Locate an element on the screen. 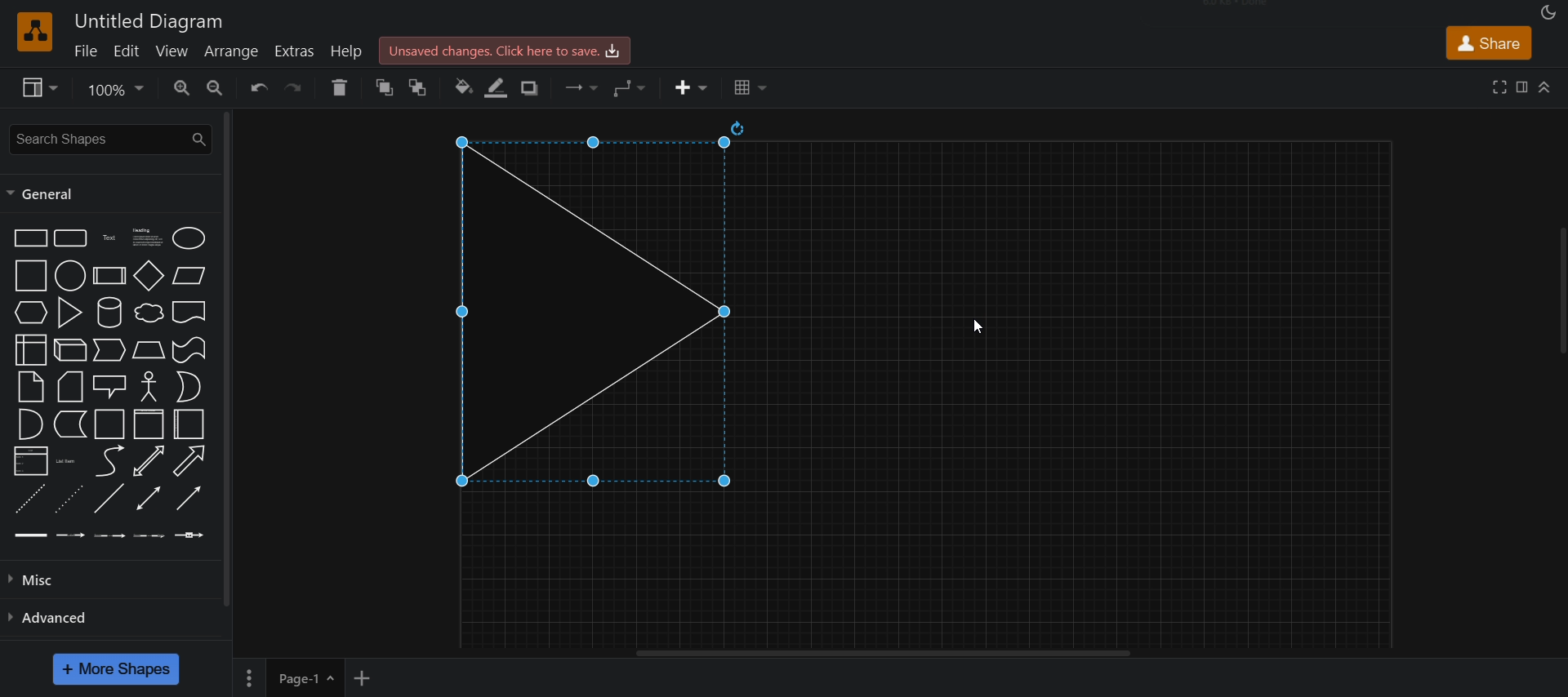 The width and height of the screenshot is (1568, 697). horizontal scroll bar is located at coordinates (889, 654).